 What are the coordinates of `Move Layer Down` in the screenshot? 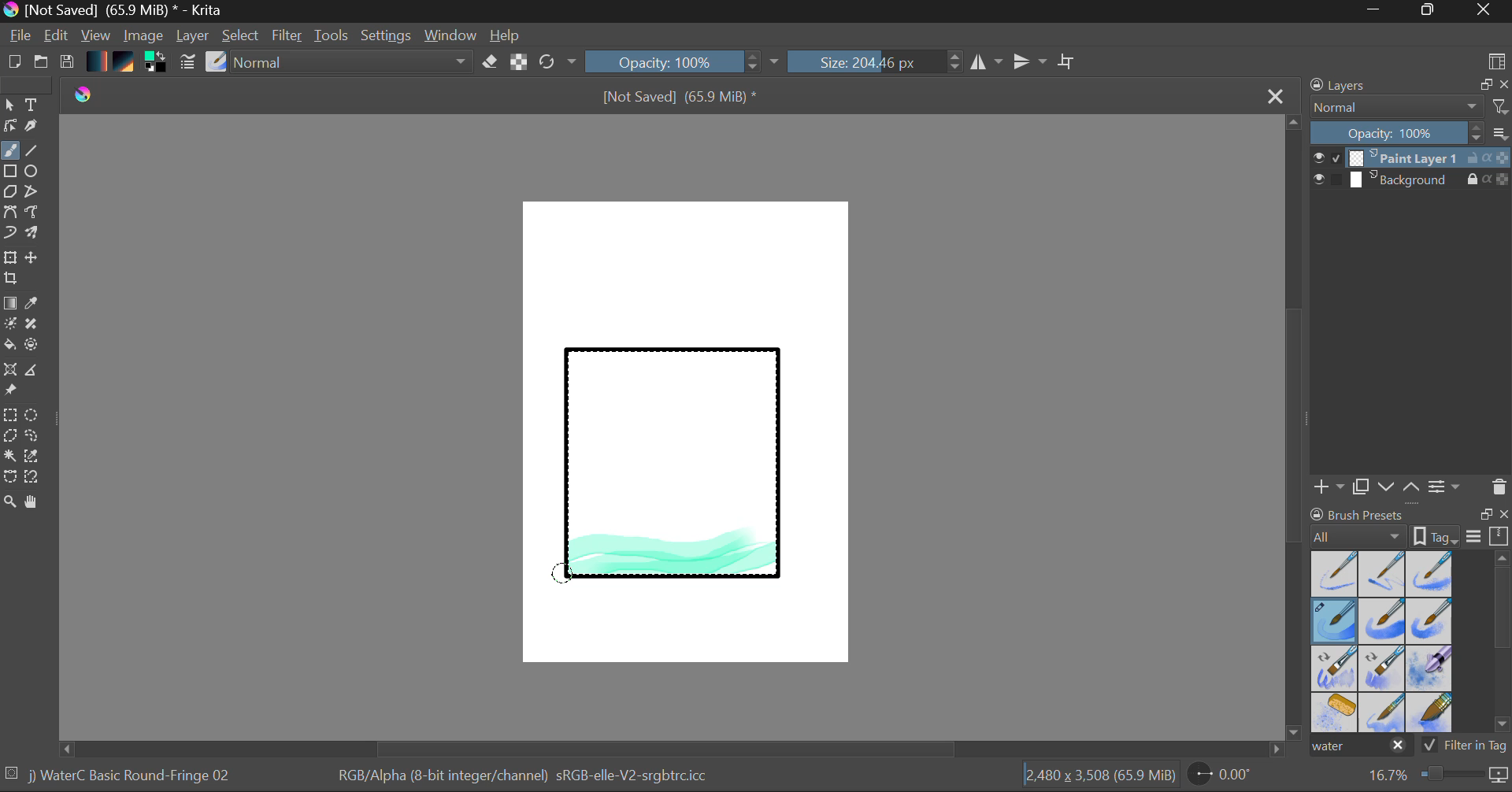 It's located at (1388, 487).